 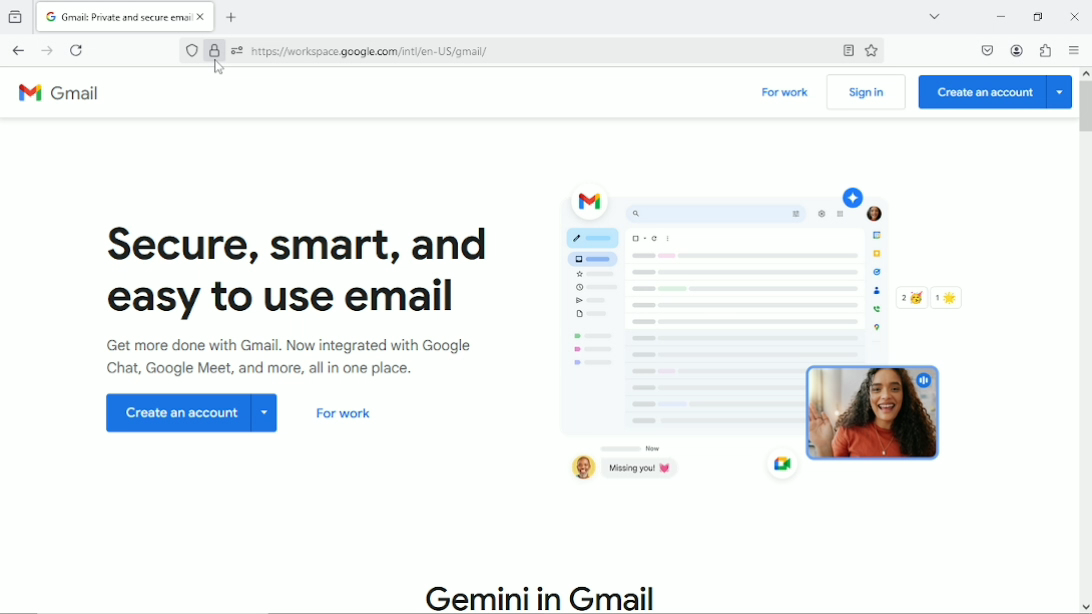 I want to click on Vertical scrollbar, so click(x=1085, y=109).